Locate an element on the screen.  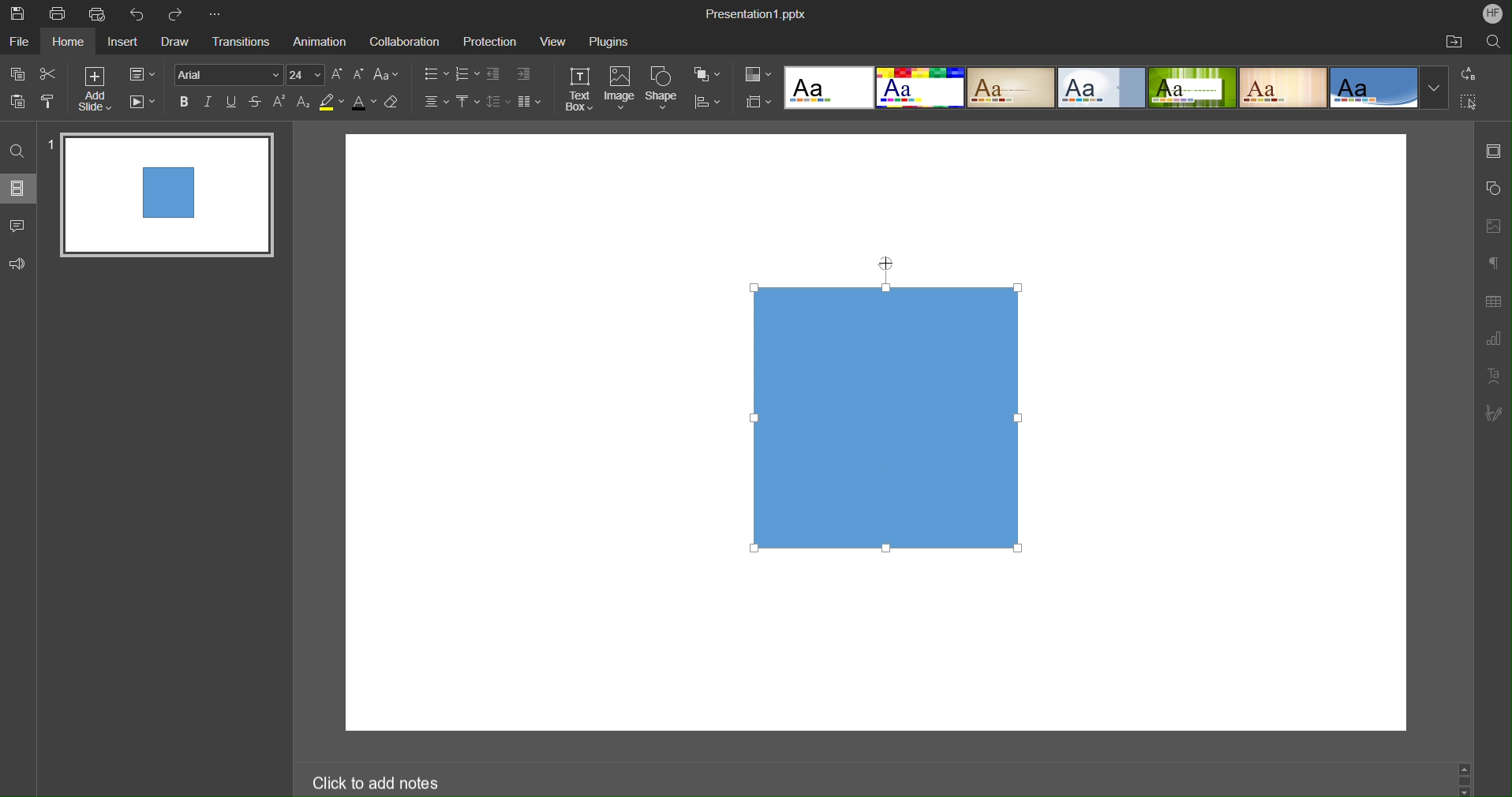
Vertical Align is located at coordinates (468, 102).